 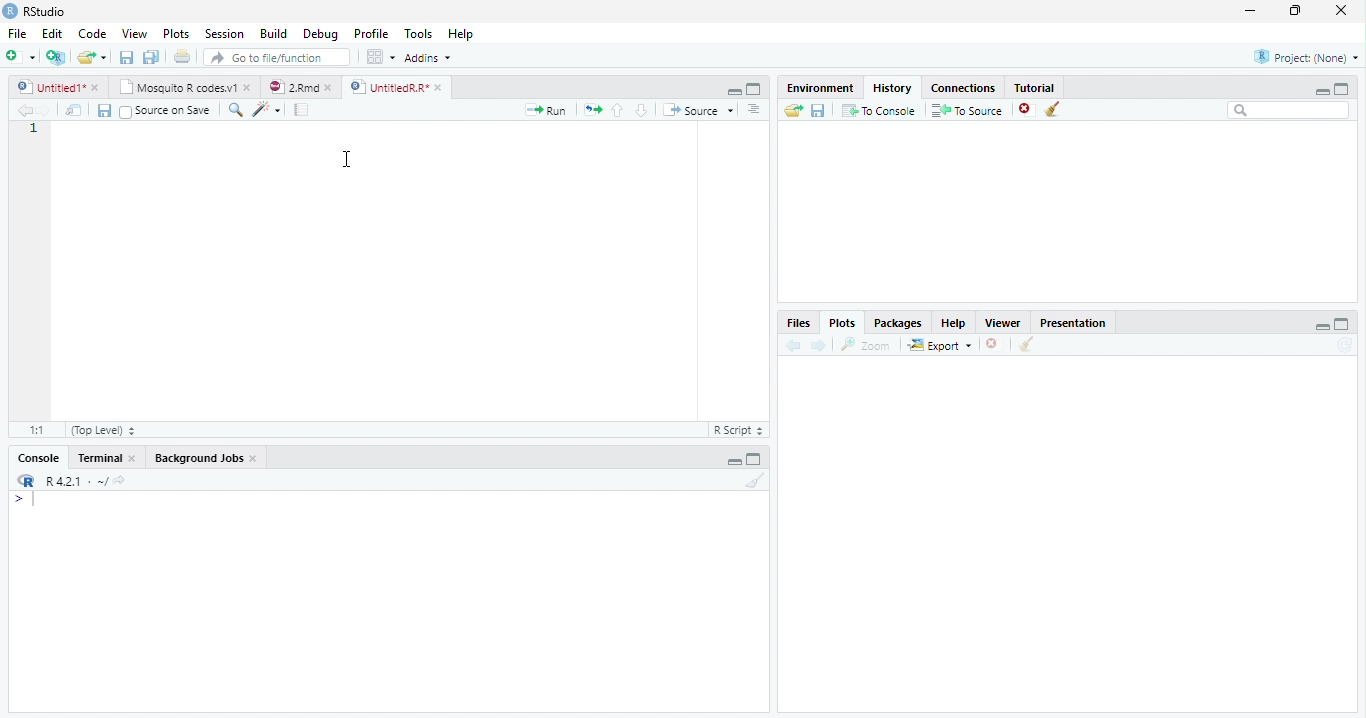 I want to click on Refresh, so click(x=1345, y=346).